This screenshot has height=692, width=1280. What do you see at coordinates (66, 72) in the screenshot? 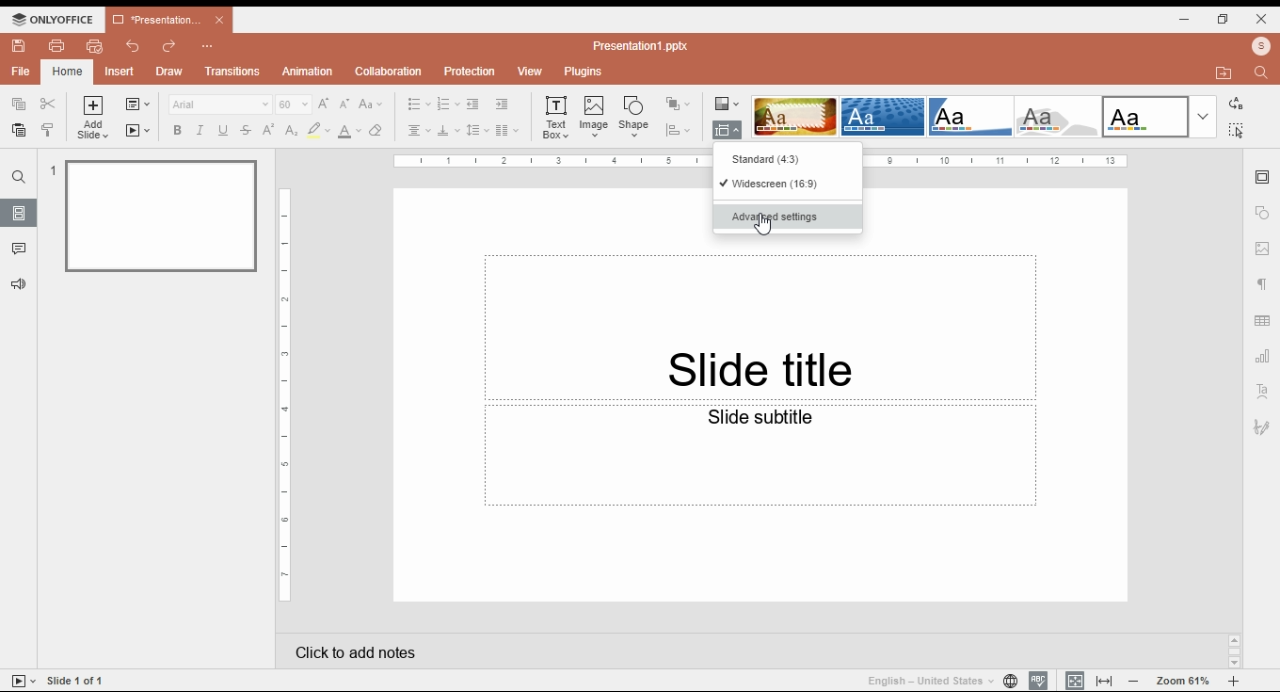
I see `home` at bounding box center [66, 72].